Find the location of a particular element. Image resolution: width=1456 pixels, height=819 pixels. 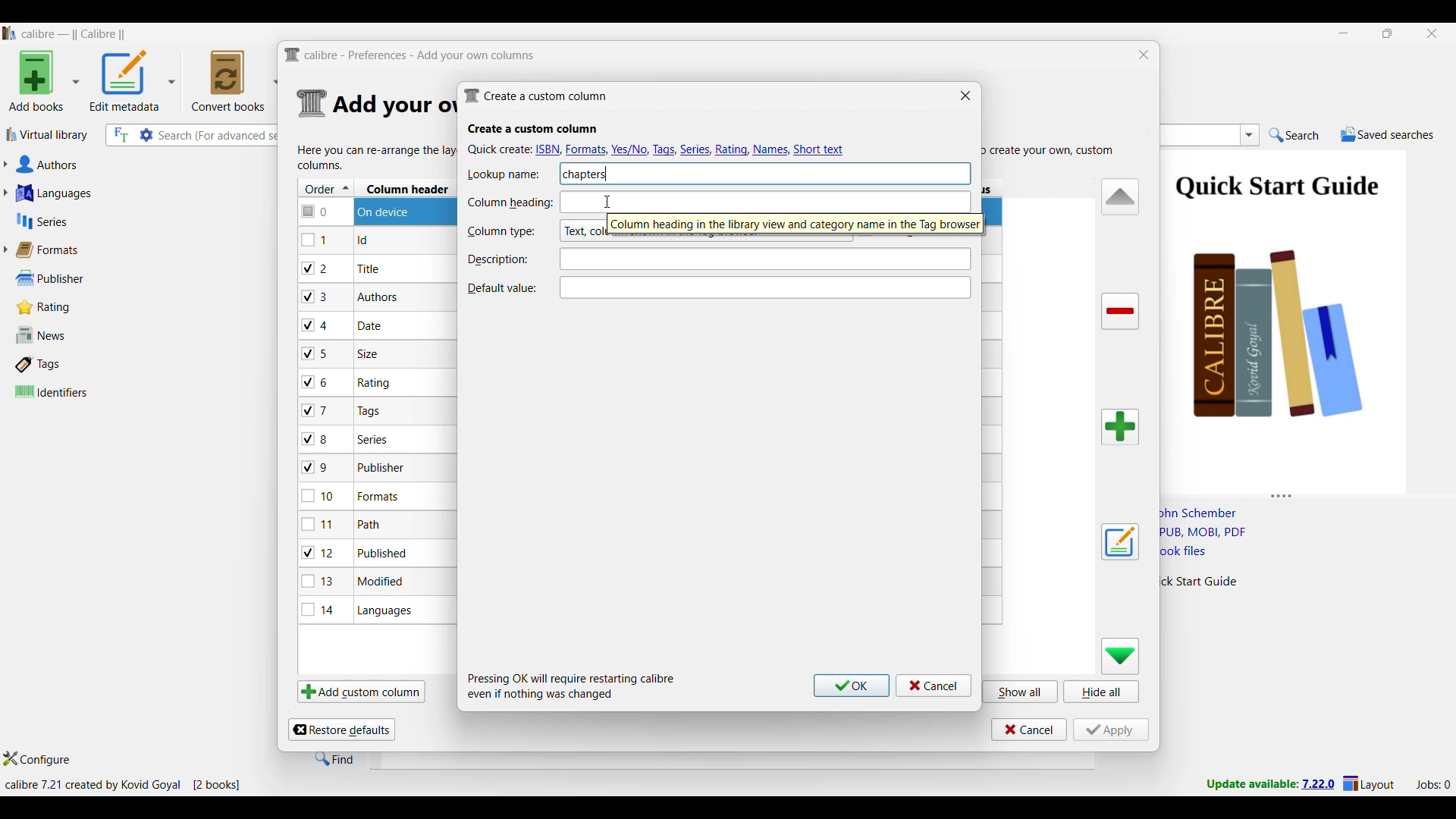

checkbox - 1 is located at coordinates (316, 240).